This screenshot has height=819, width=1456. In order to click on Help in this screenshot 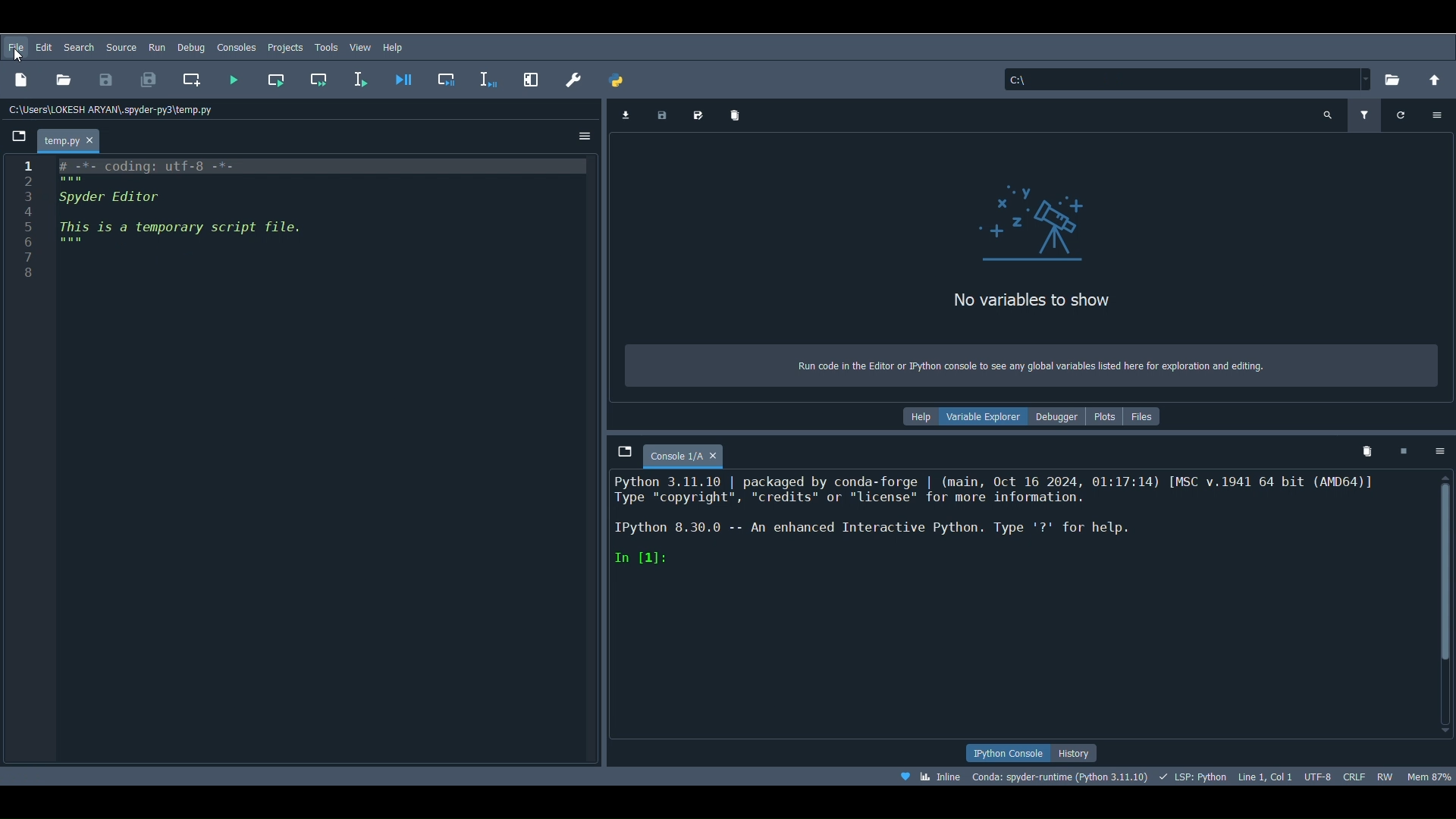, I will do `click(396, 47)`.